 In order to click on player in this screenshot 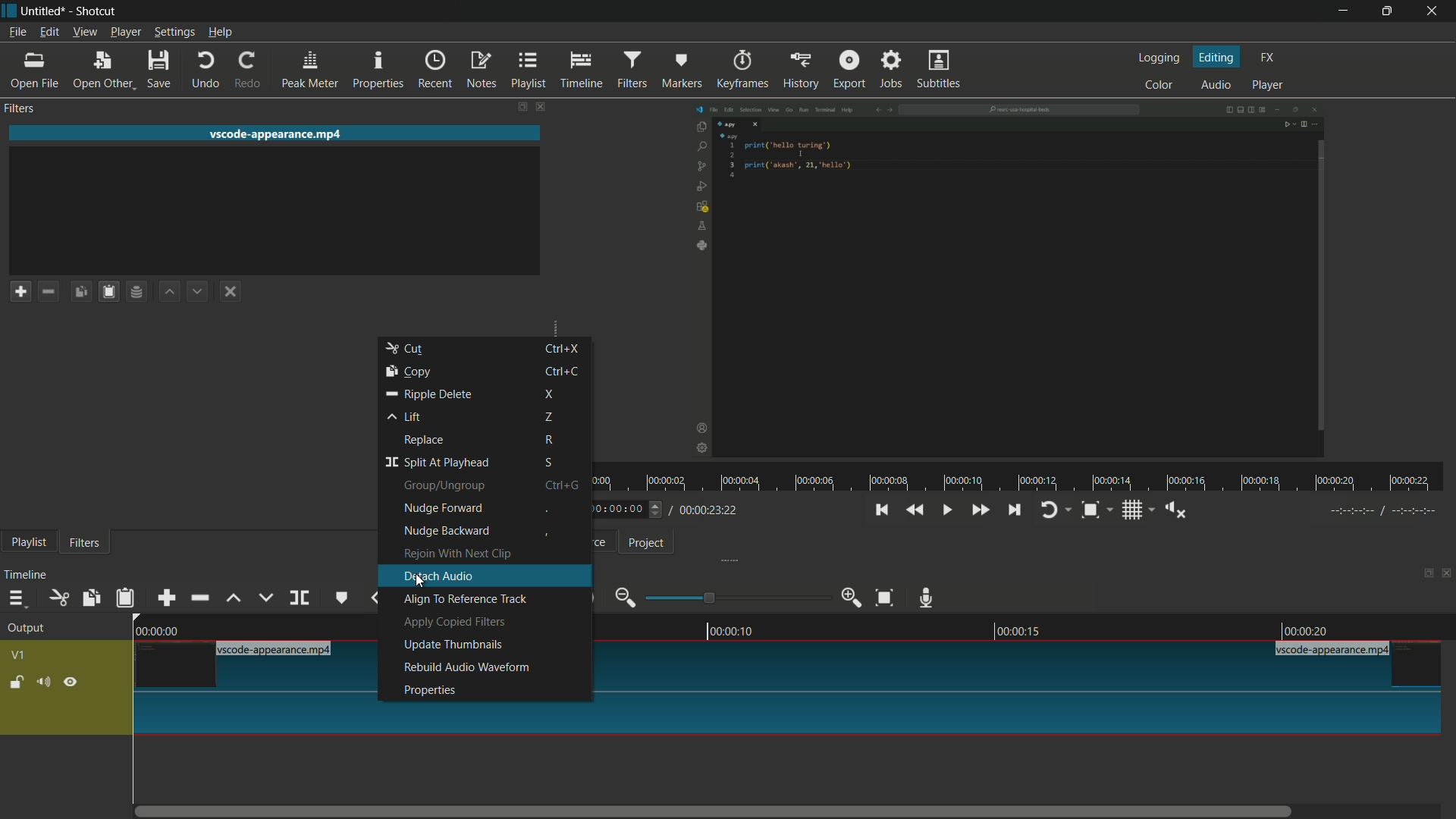, I will do `click(1270, 84)`.